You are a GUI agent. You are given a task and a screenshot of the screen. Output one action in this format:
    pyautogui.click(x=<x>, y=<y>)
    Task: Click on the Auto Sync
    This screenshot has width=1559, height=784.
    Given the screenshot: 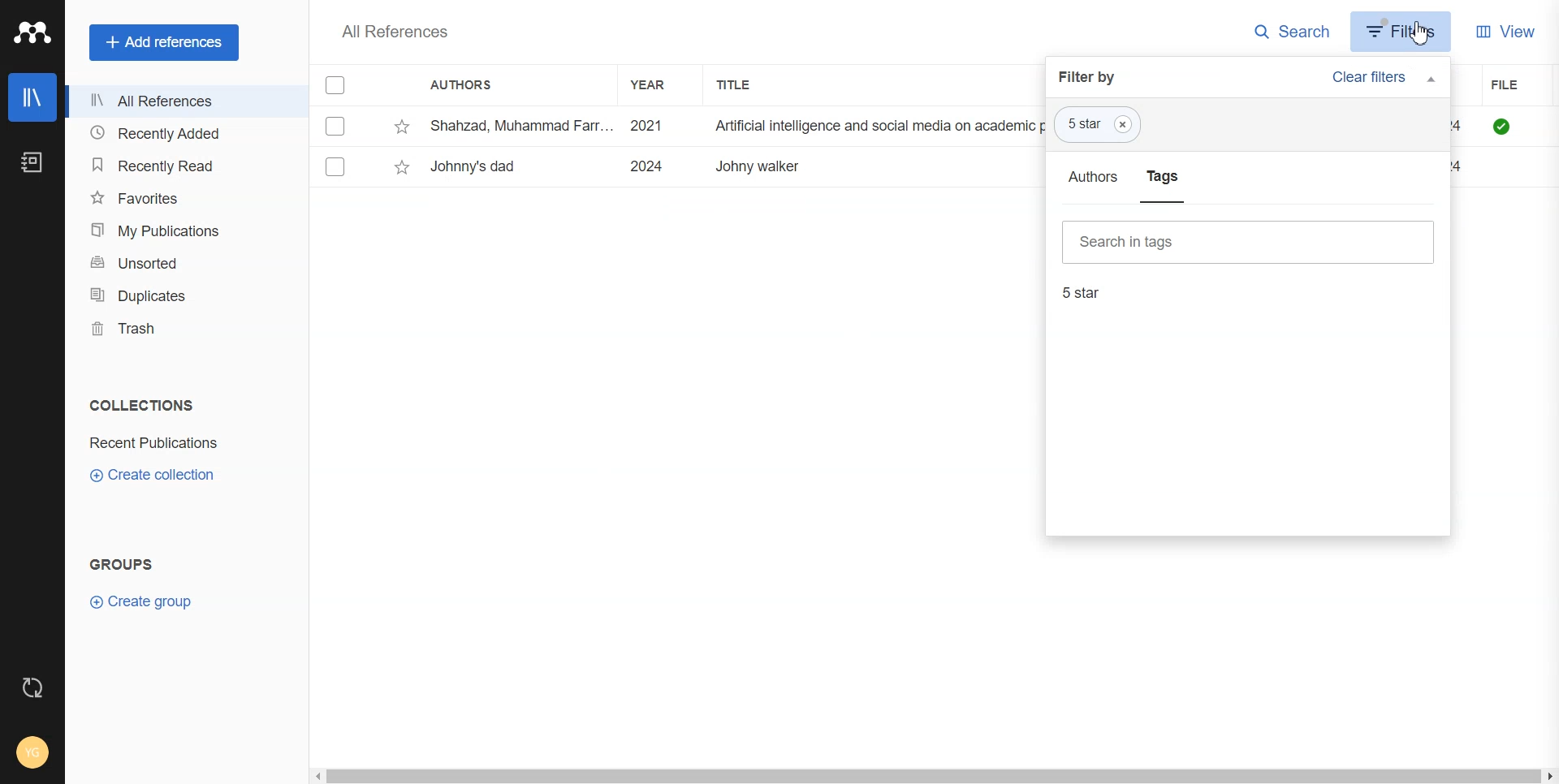 What is the action you would take?
    pyautogui.click(x=33, y=687)
    